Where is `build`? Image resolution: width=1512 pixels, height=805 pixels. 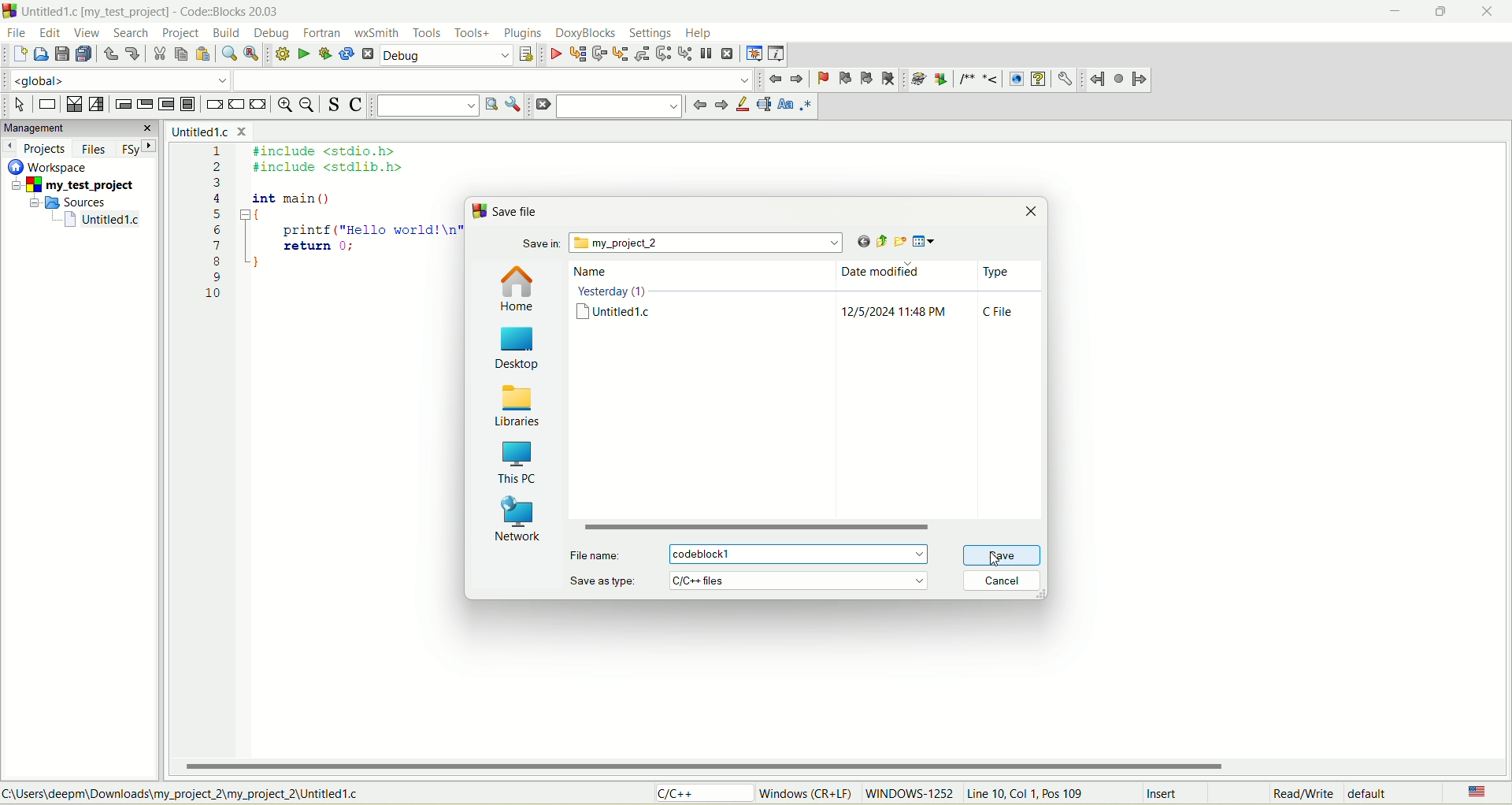 build is located at coordinates (228, 34).